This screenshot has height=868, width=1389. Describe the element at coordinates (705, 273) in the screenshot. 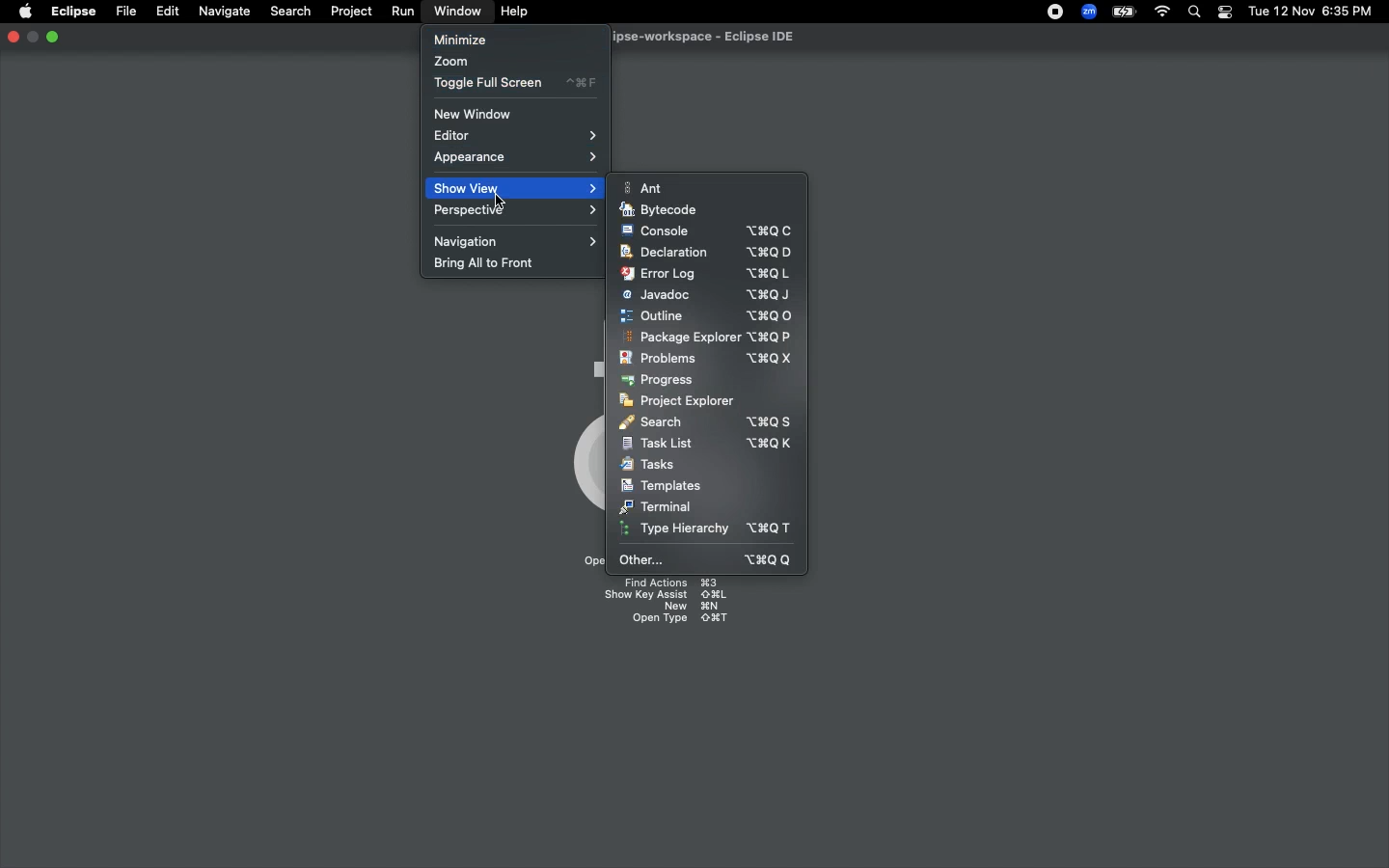

I see `Error log` at that location.